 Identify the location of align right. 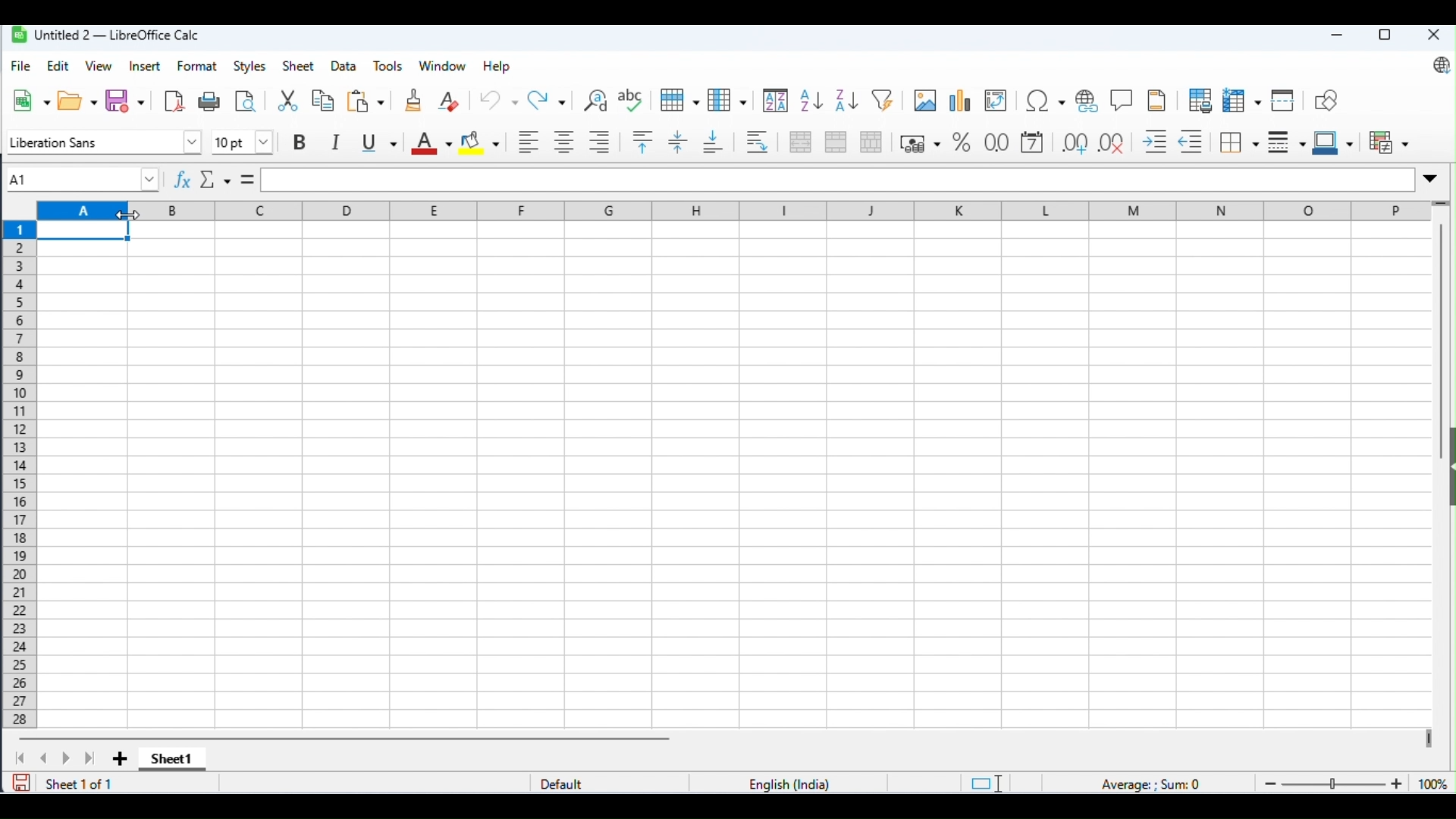
(600, 143).